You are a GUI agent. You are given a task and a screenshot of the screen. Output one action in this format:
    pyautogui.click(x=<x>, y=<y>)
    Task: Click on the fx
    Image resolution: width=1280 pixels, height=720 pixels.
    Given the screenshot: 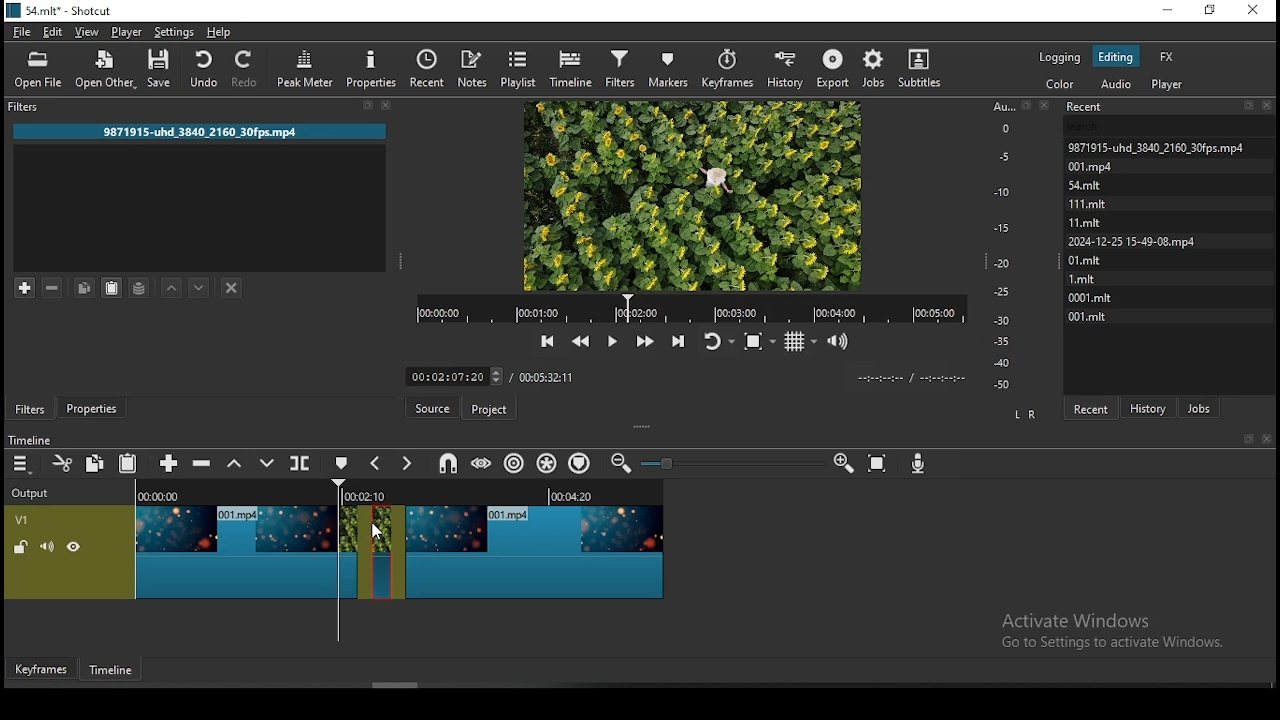 What is the action you would take?
    pyautogui.click(x=1166, y=59)
    